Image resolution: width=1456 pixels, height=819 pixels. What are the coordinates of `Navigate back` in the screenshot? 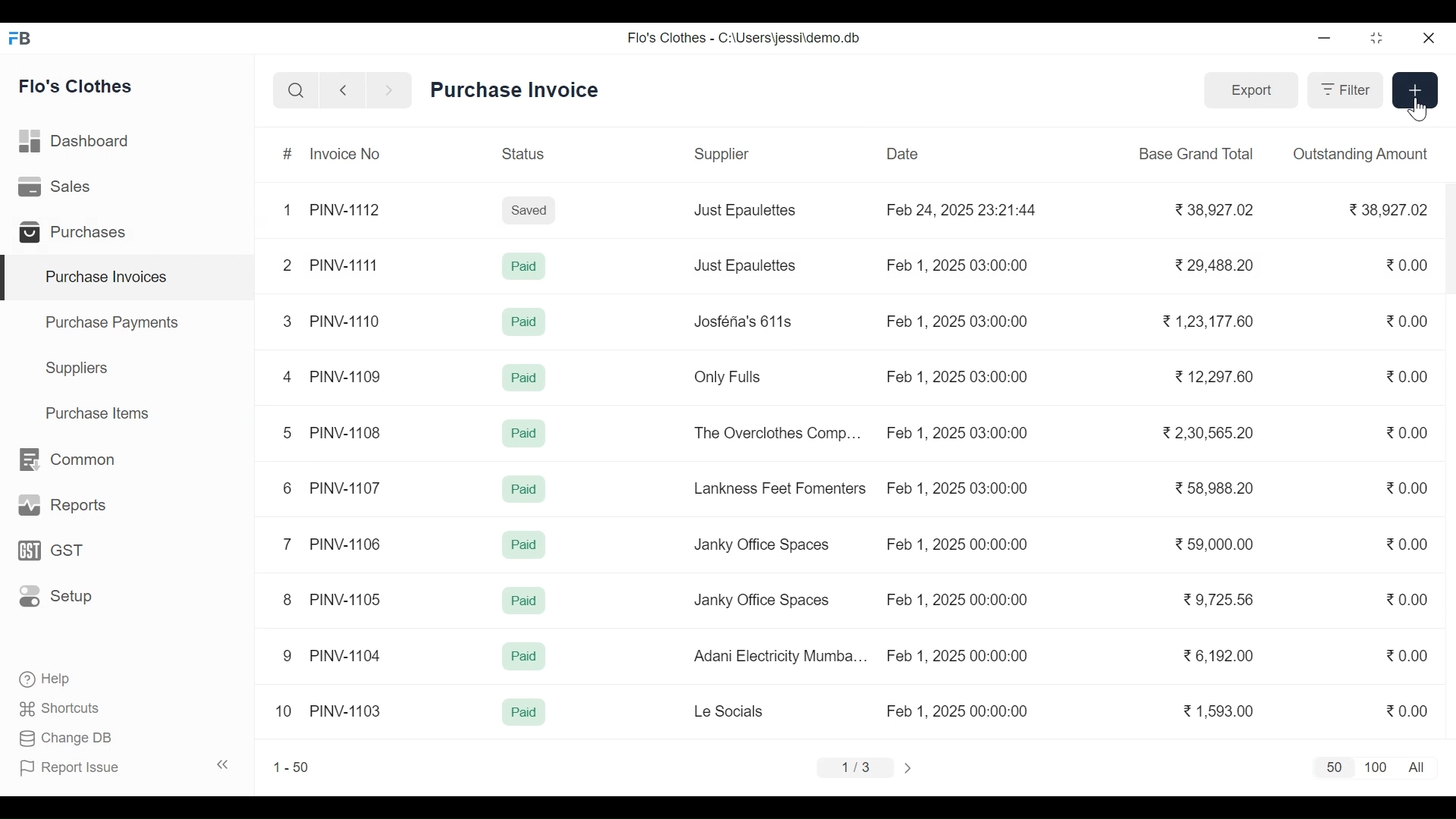 It's located at (340, 91).